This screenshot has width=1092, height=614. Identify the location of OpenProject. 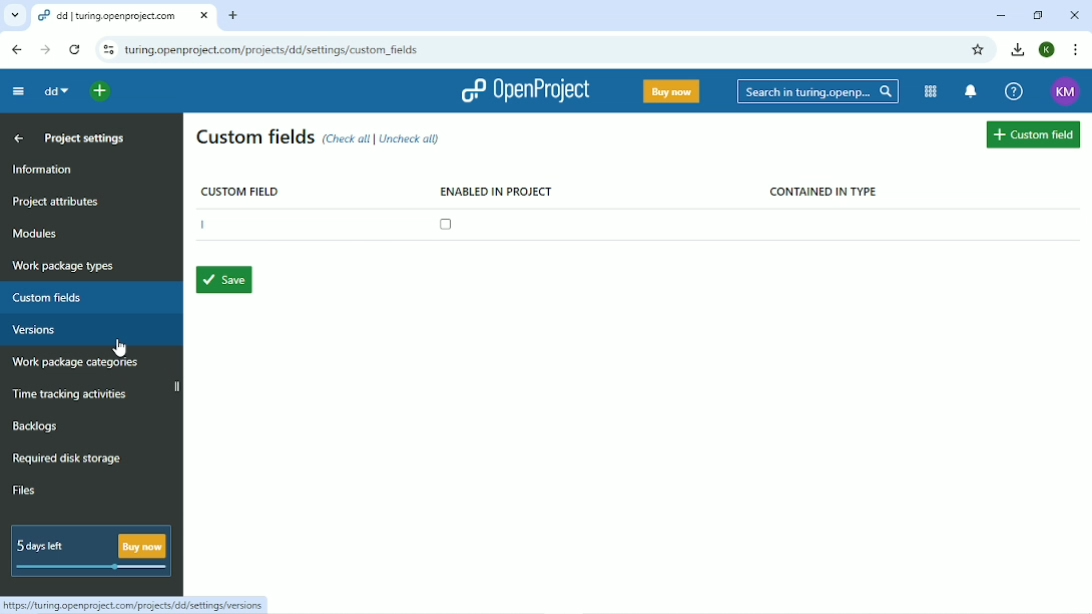
(525, 91).